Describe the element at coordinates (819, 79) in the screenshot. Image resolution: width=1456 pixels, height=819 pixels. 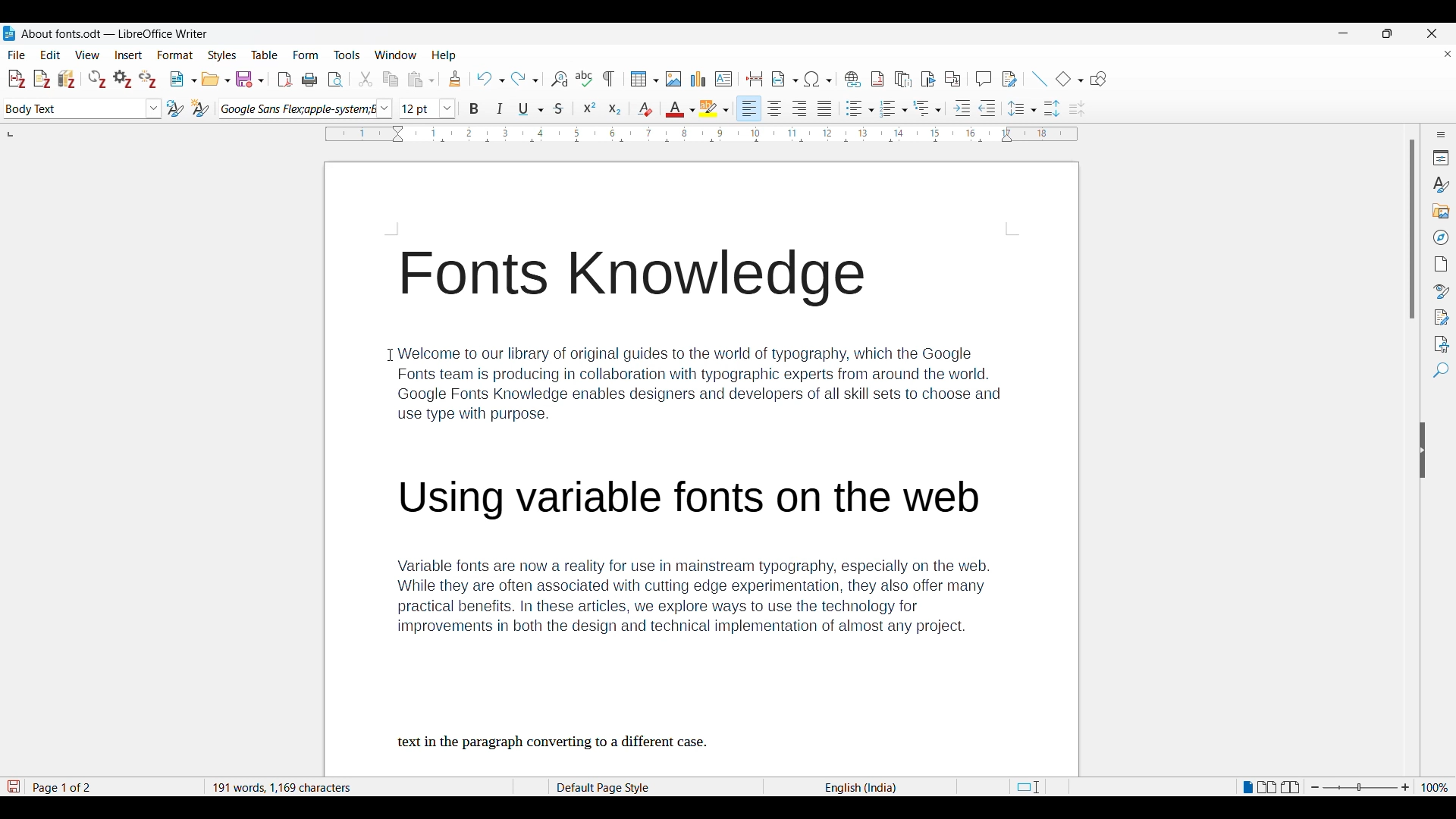
I see `Special character options` at that location.